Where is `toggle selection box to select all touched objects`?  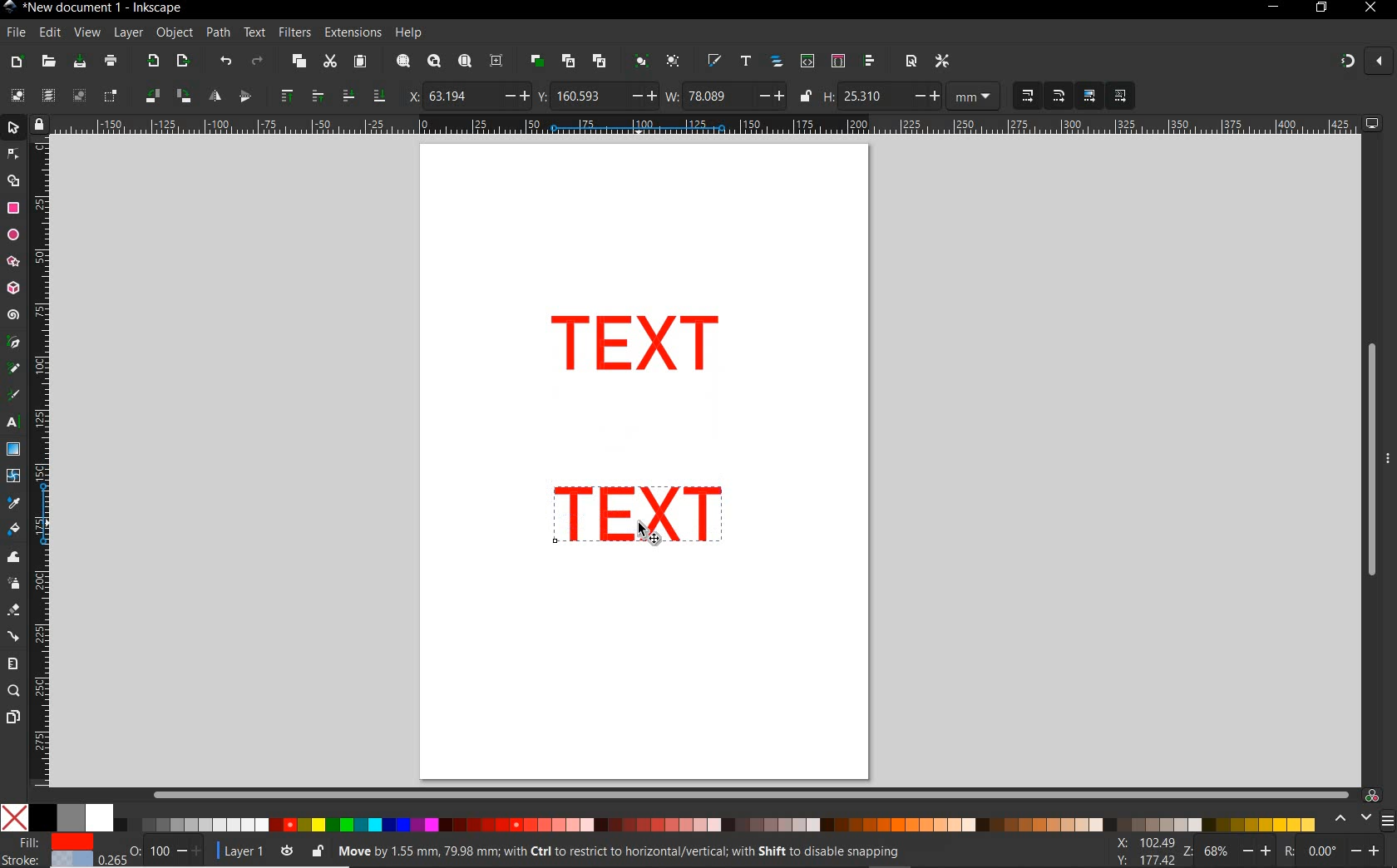
toggle selection box to select all touched objects is located at coordinates (111, 96).